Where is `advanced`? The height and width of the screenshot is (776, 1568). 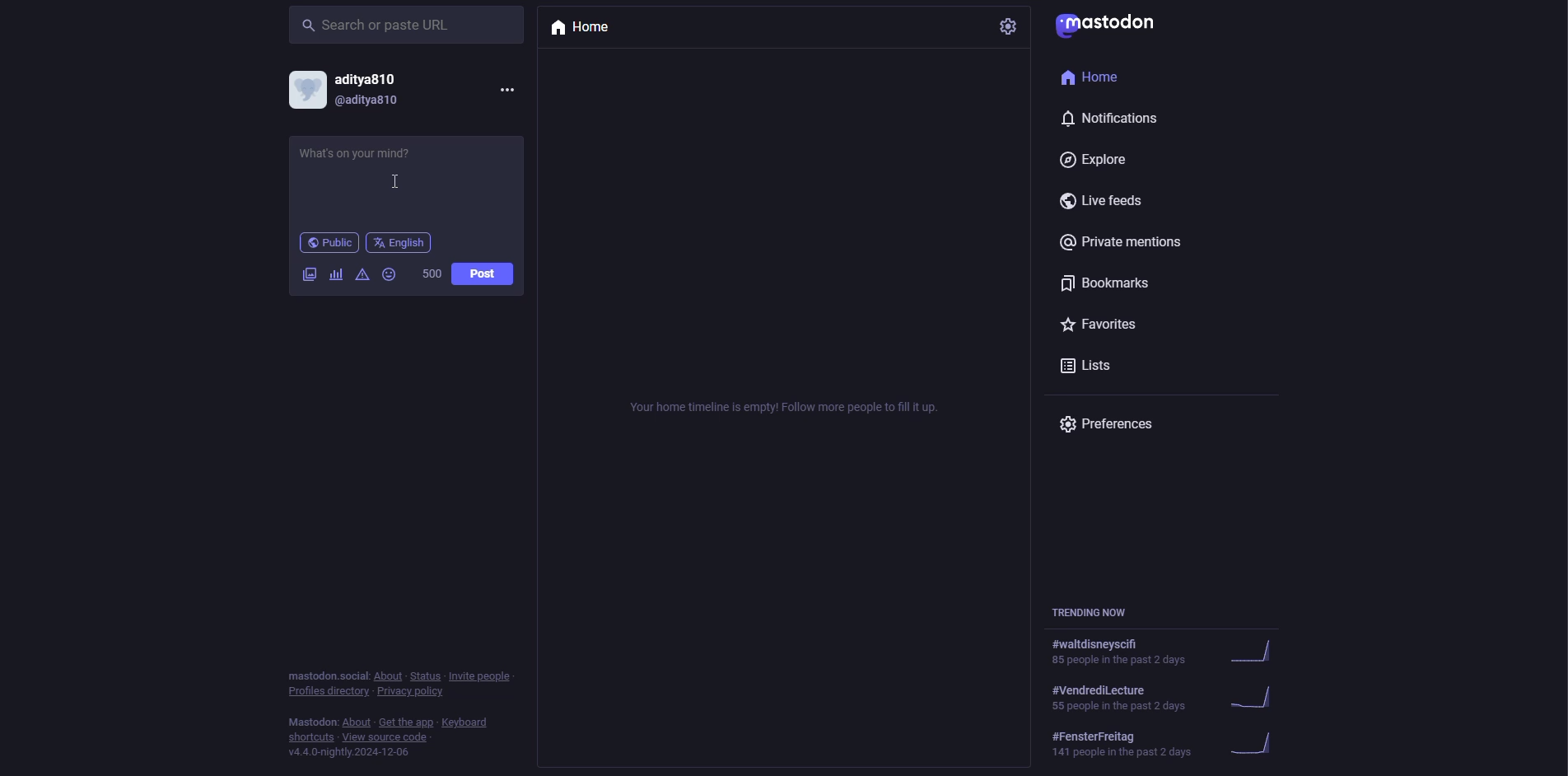 advanced is located at coordinates (362, 276).